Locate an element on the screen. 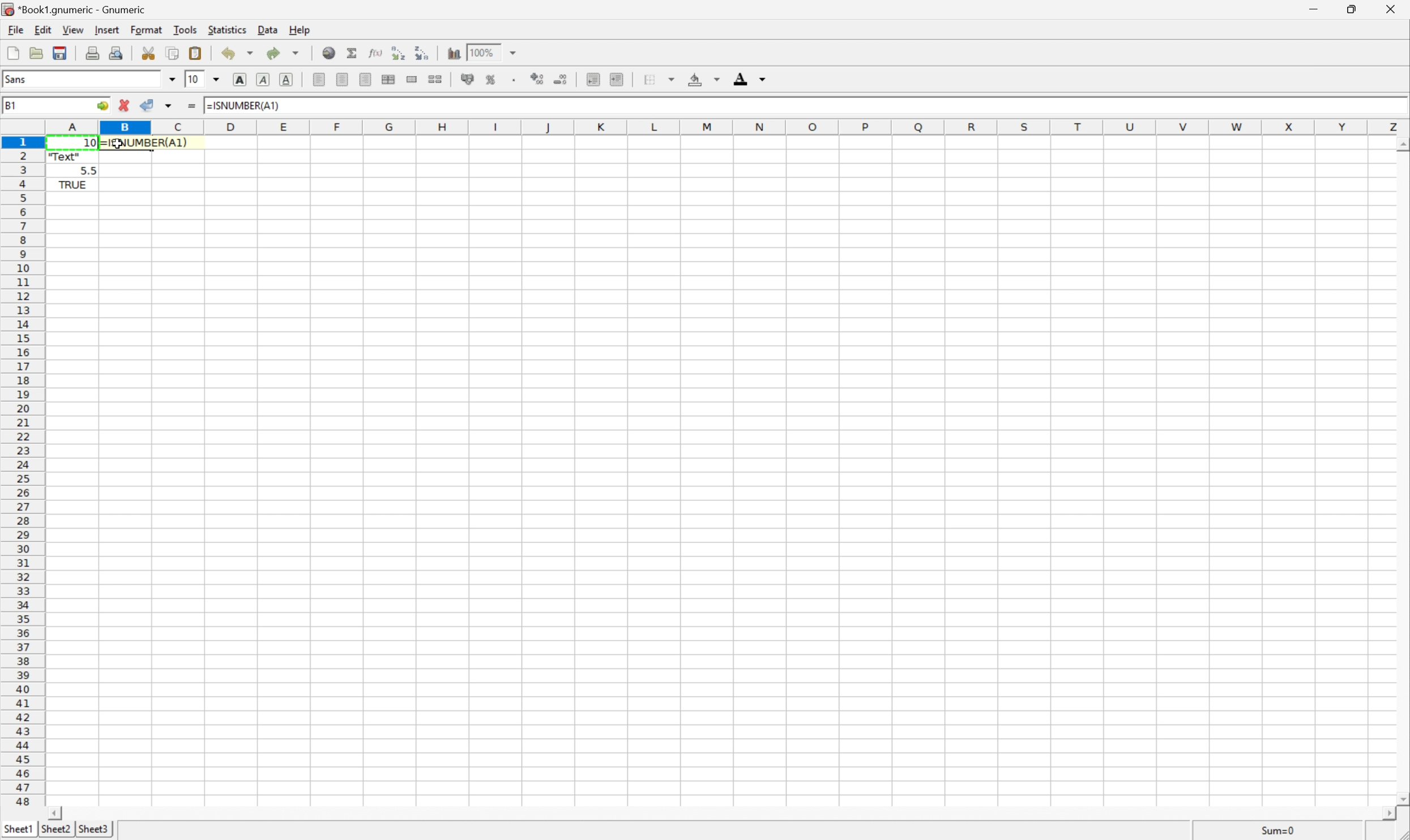  Open a file is located at coordinates (39, 54).